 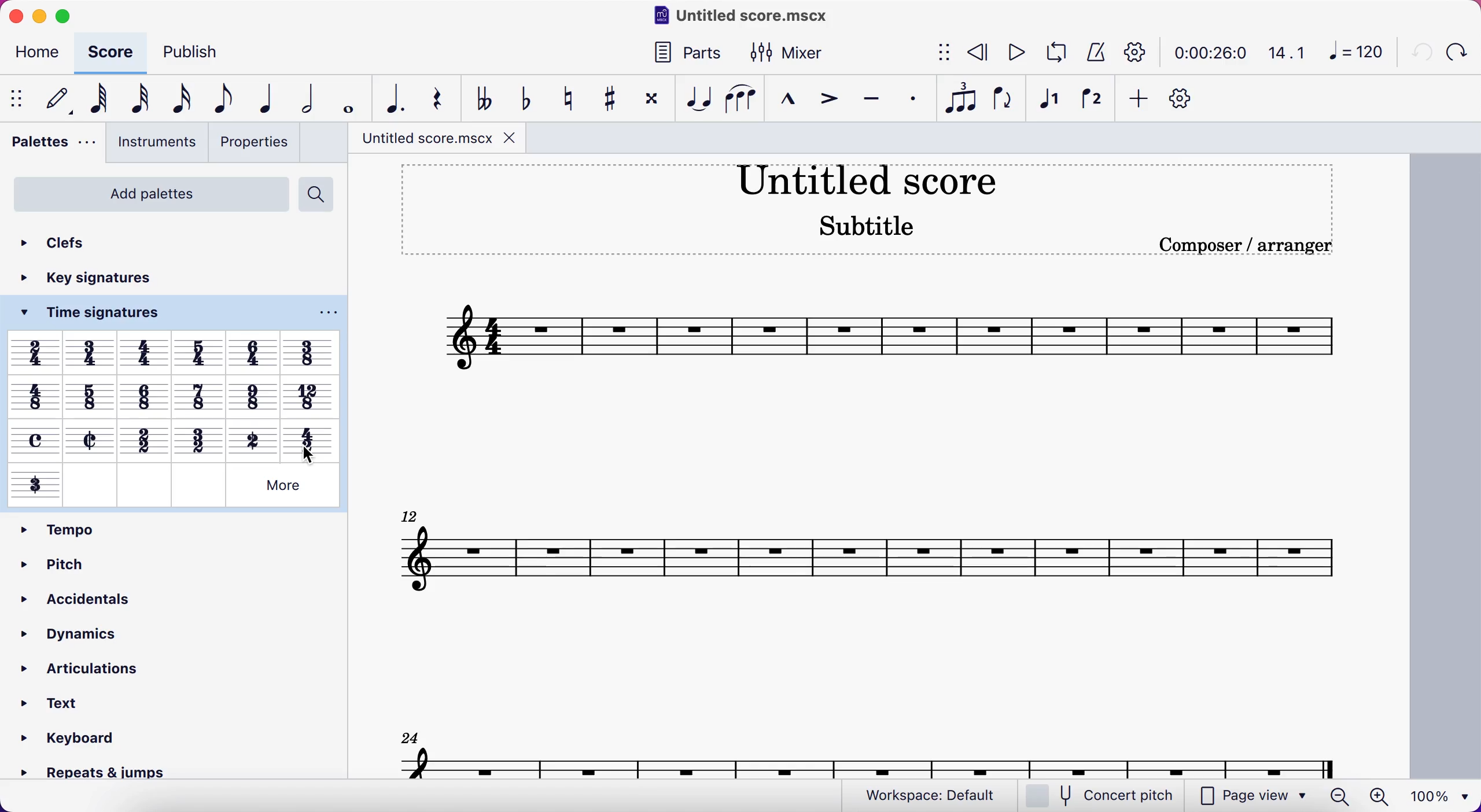 What do you see at coordinates (911, 100) in the screenshot?
I see `staccato` at bounding box center [911, 100].